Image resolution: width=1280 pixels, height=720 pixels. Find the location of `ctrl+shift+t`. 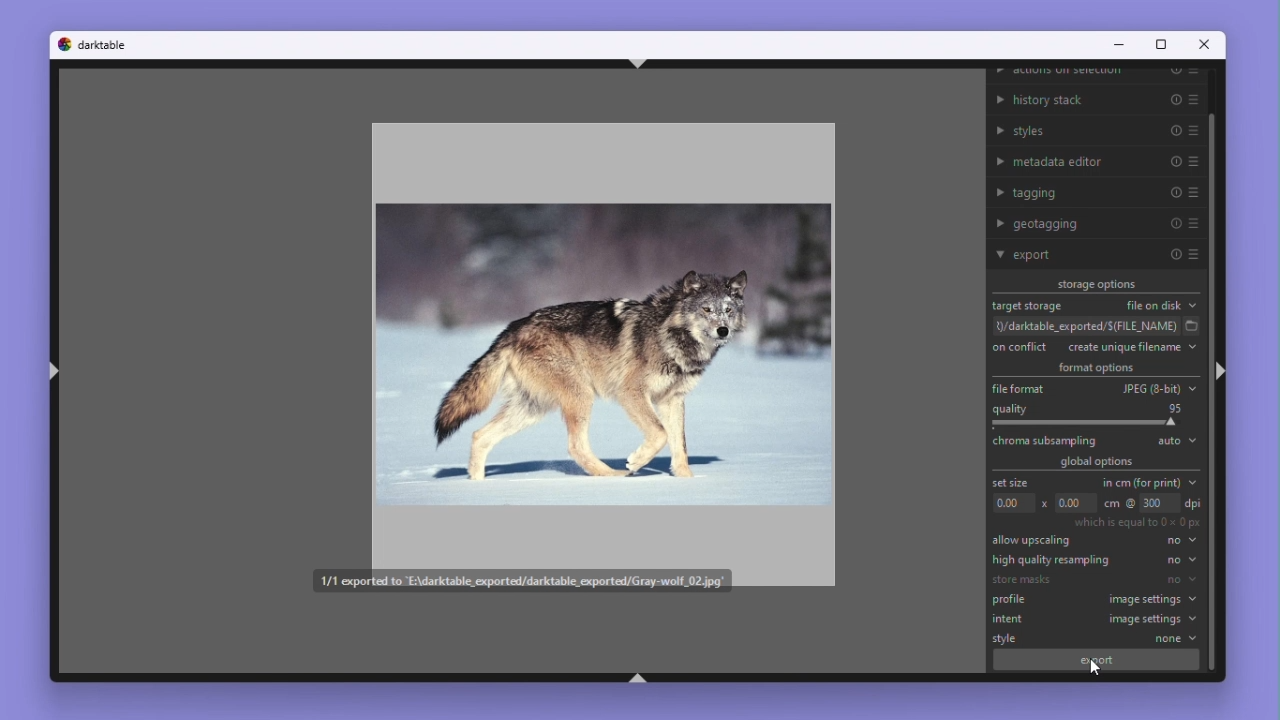

ctrl+shift+t is located at coordinates (635, 63).